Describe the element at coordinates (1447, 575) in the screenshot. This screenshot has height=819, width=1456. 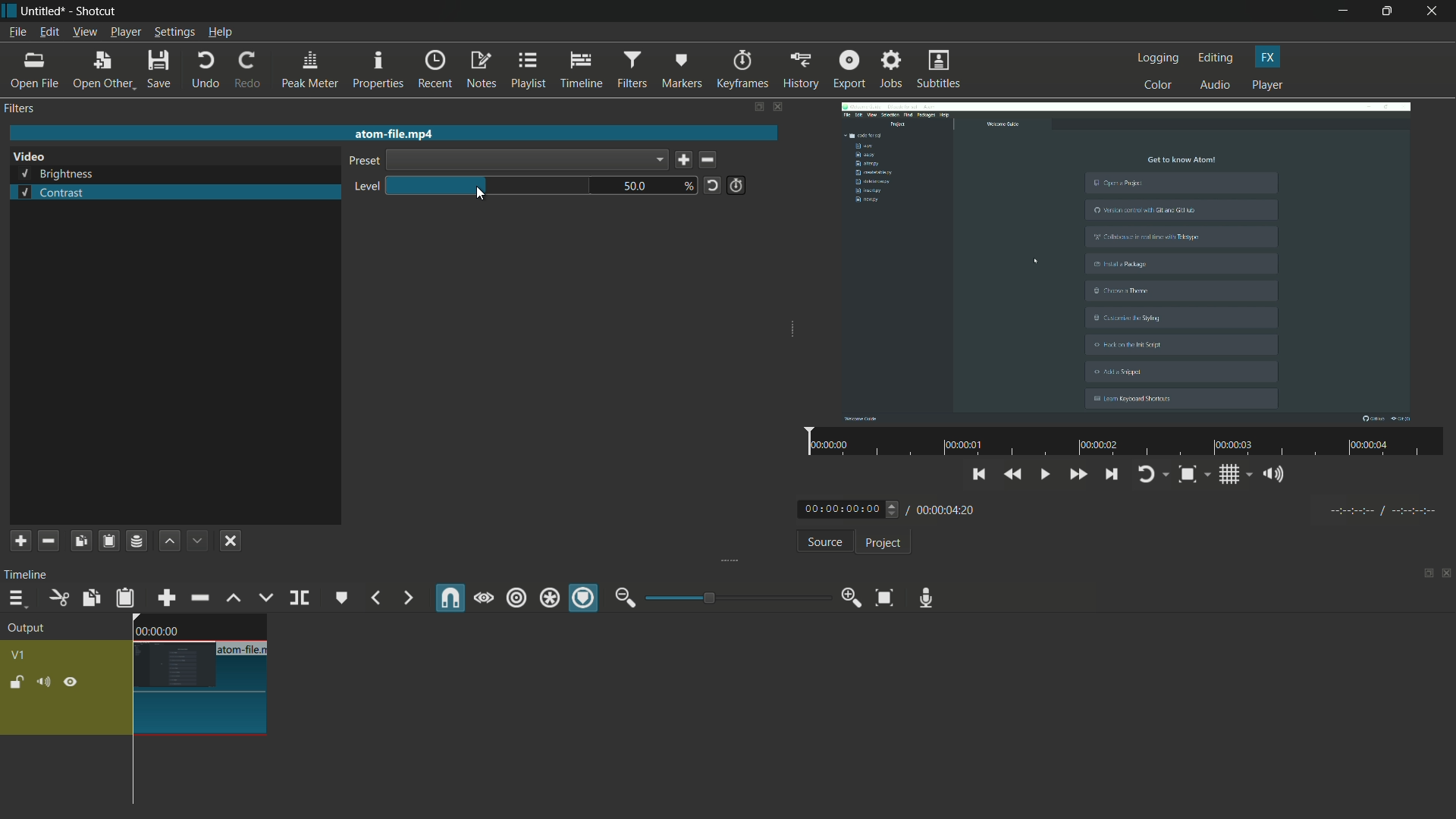
I see `close panel` at that location.